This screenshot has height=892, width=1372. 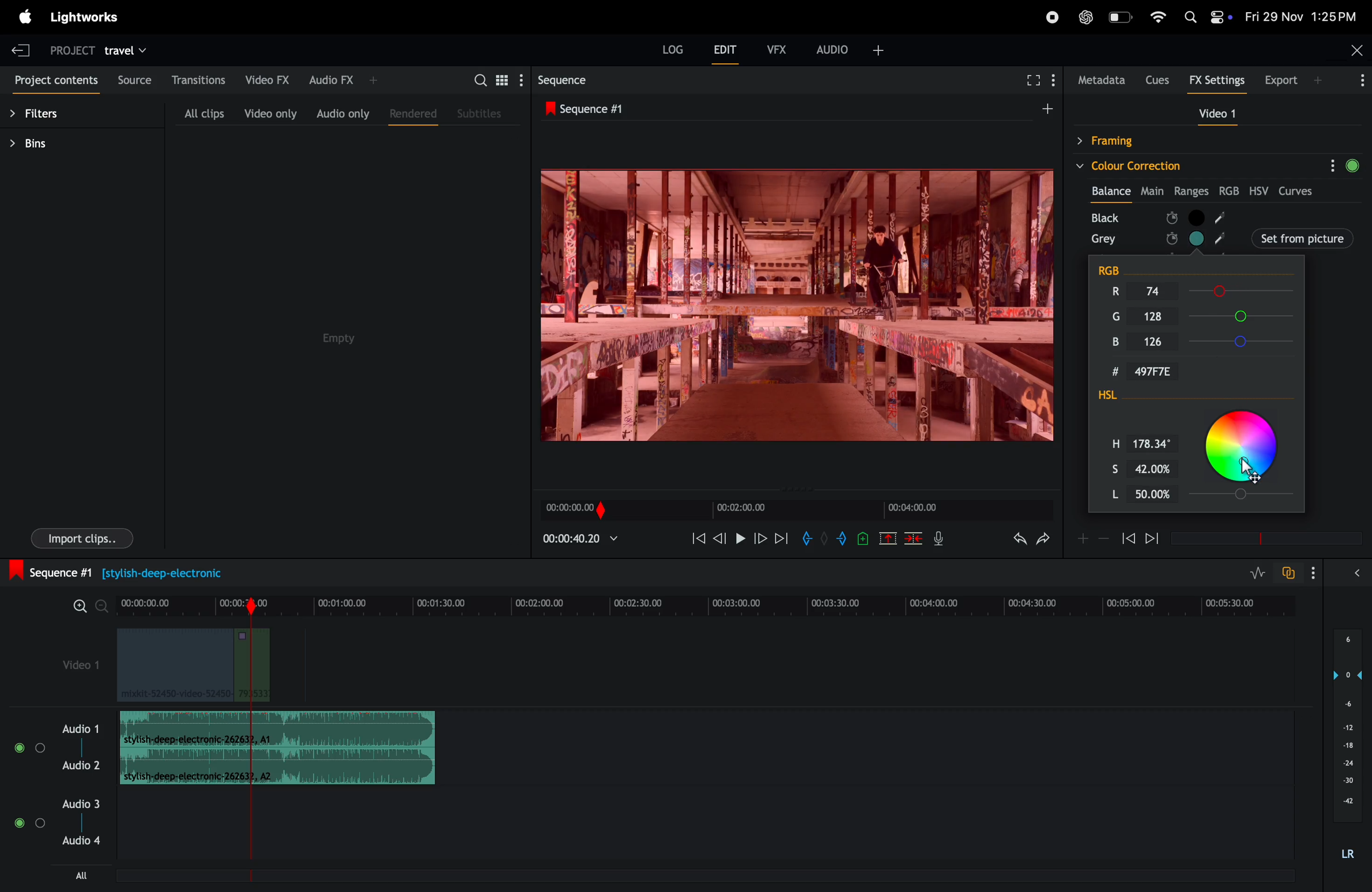 I want to click on Audio 3, so click(x=83, y=803).